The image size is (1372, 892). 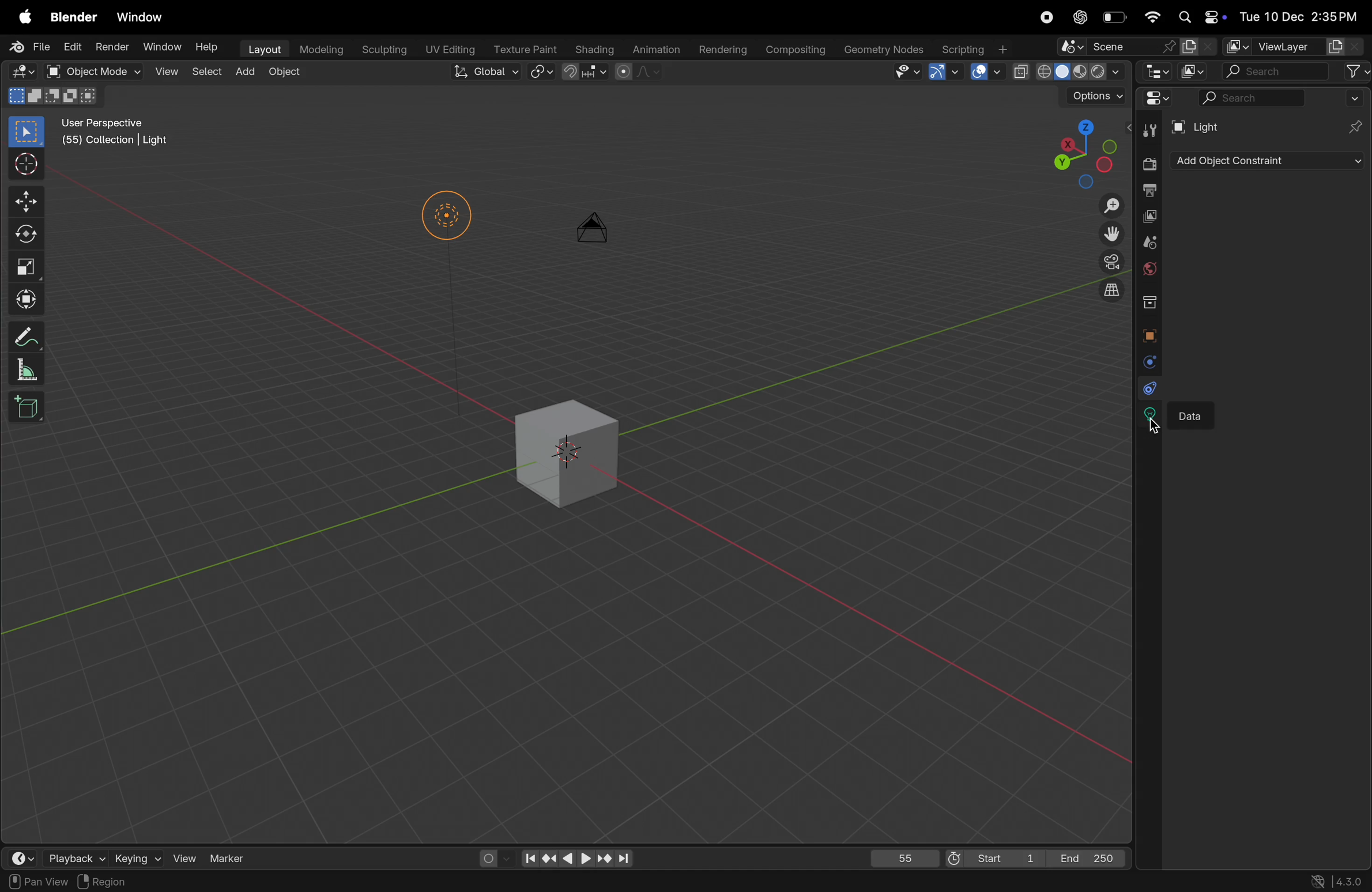 I want to click on transform, so click(x=28, y=302).